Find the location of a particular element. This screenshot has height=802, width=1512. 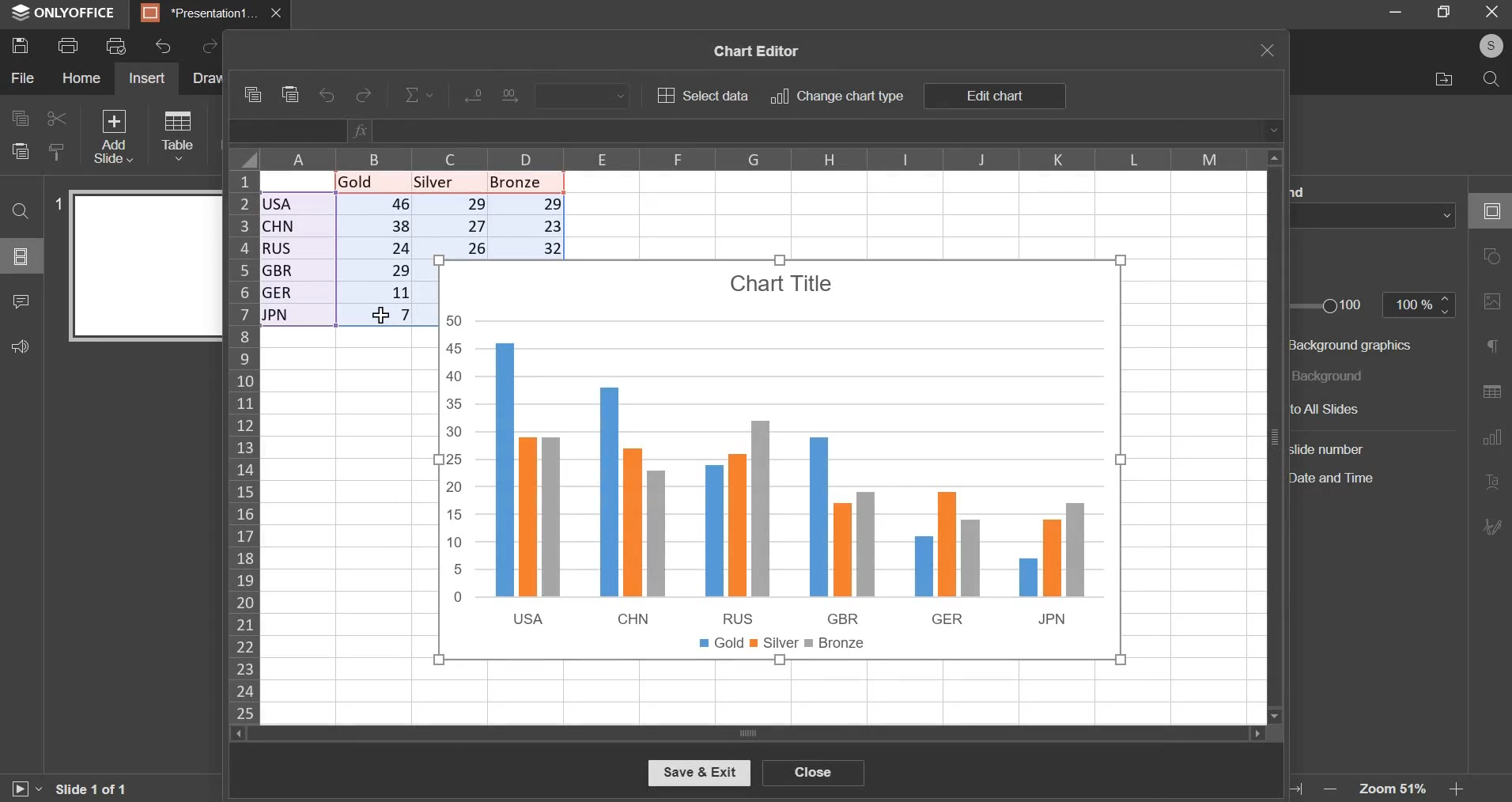

jpn is located at coordinates (297, 316).